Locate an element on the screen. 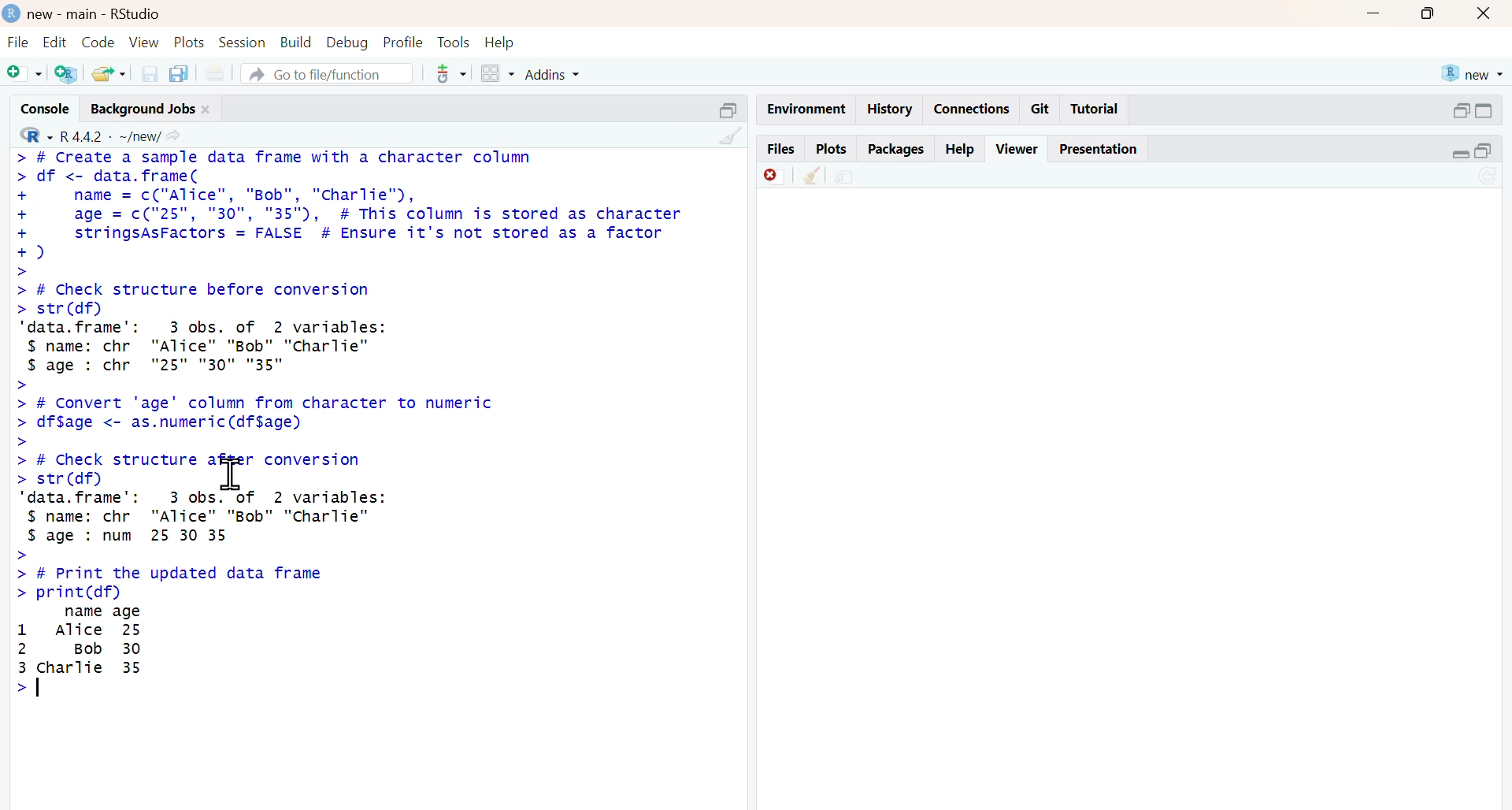 This screenshot has width=1512, height=810. share is located at coordinates (845, 177).